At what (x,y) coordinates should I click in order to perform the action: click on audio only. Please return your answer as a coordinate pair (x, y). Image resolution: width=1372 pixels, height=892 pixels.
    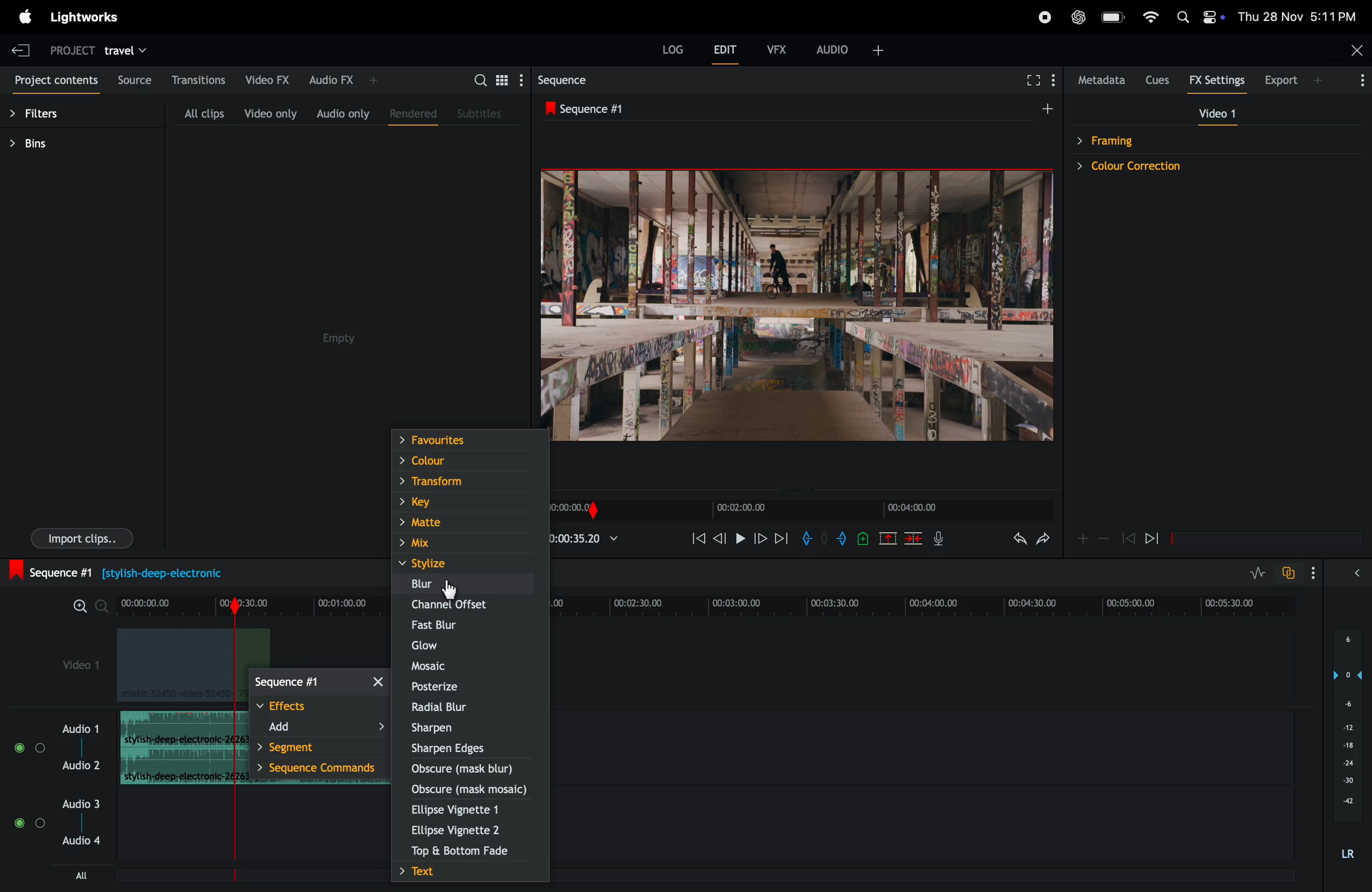
    Looking at the image, I should click on (344, 114).